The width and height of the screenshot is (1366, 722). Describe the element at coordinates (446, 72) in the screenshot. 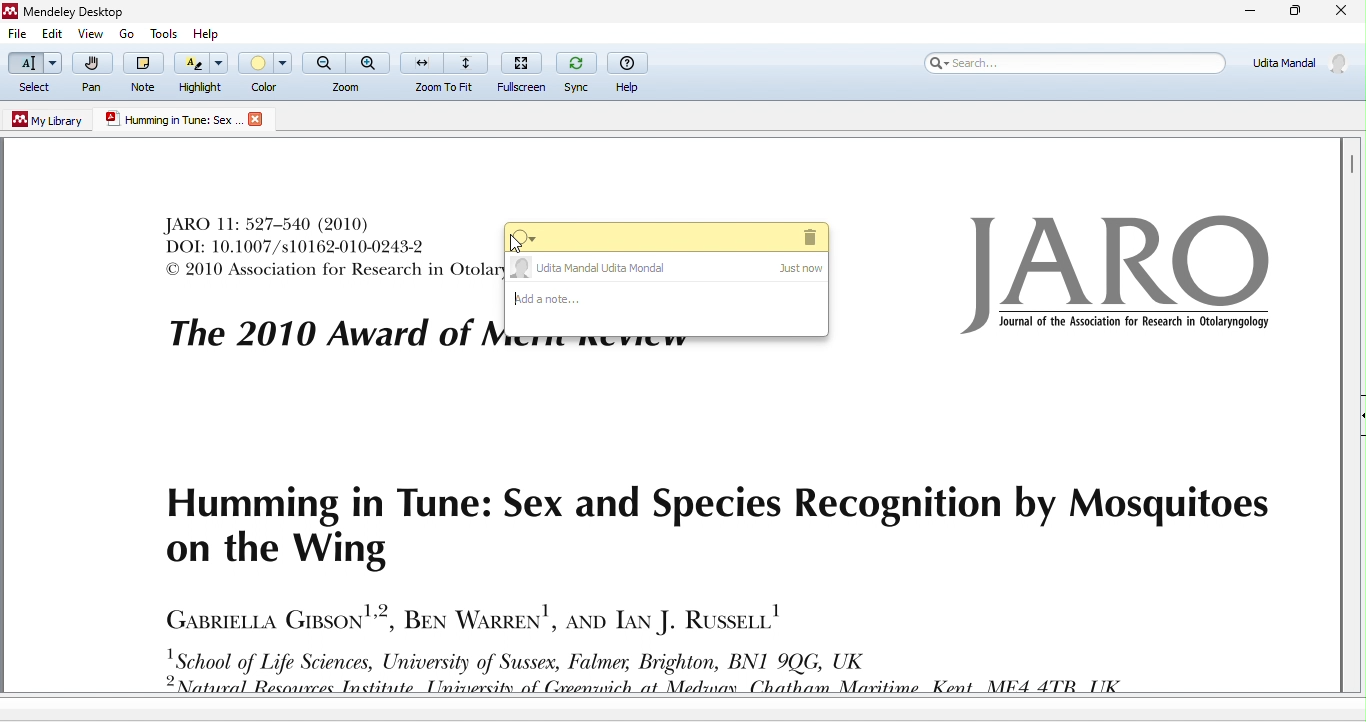

I see `zoom to fit` at that location.